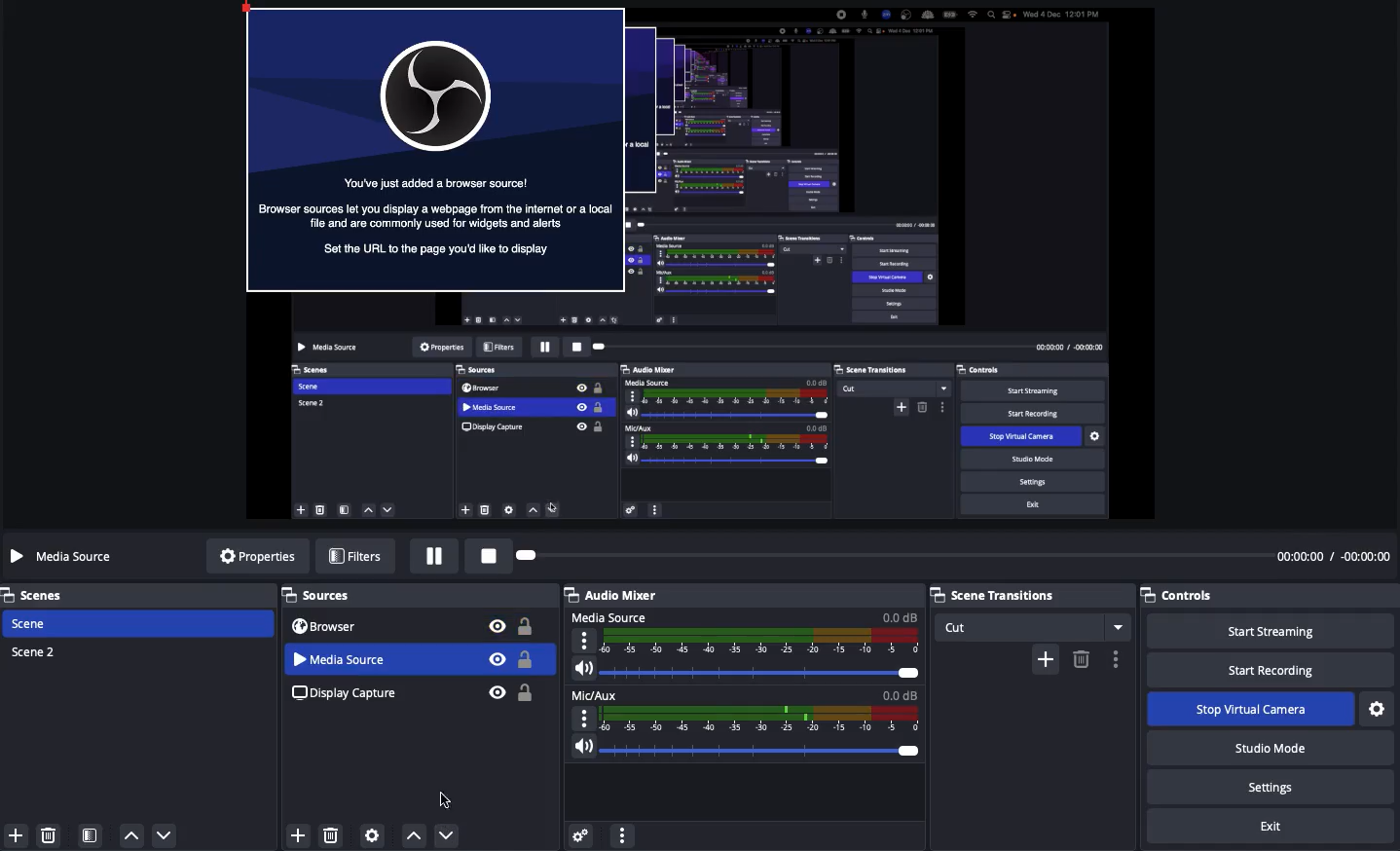  I want to click on Start streaming, so click(1267, 632).